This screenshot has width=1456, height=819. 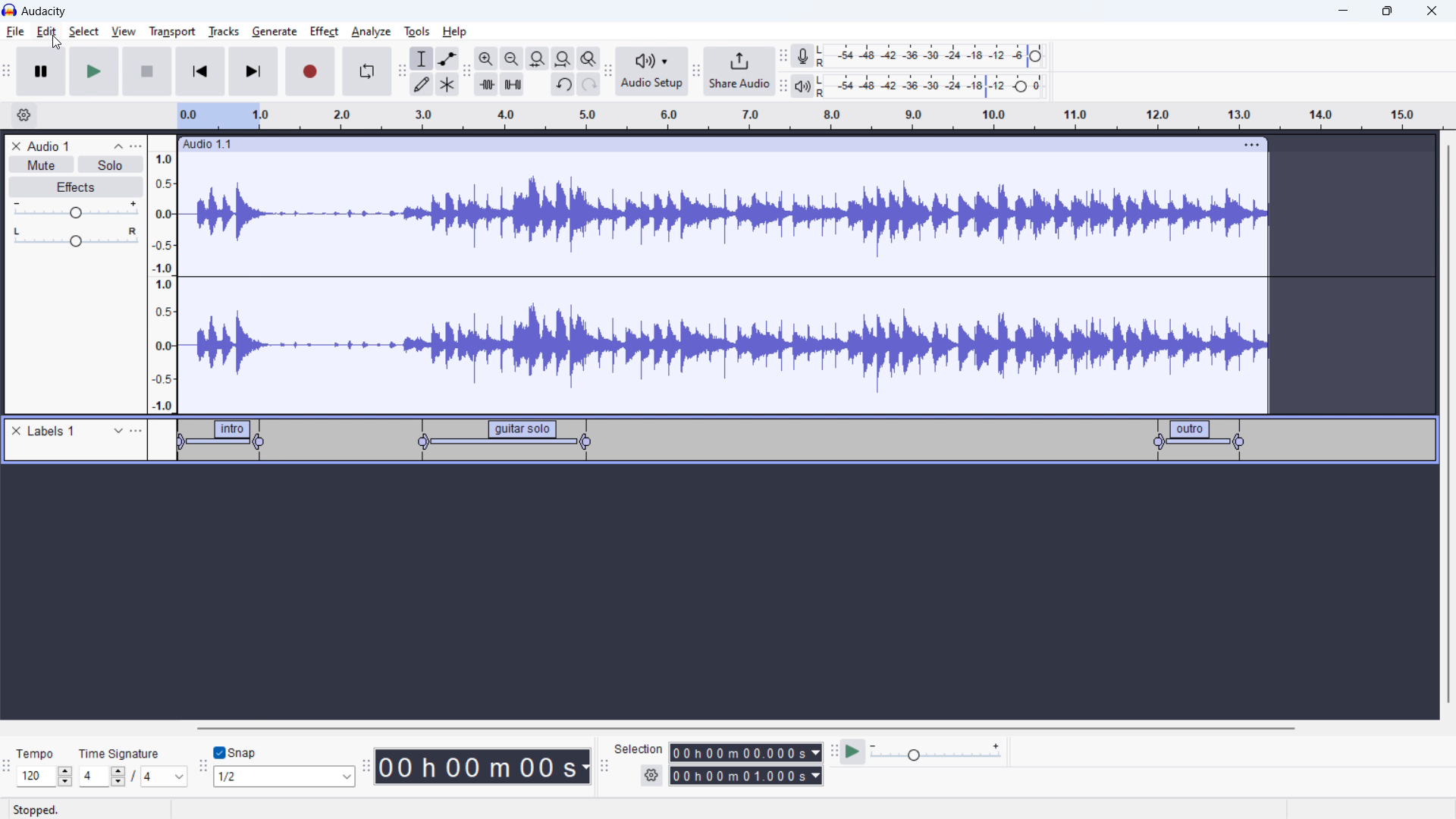 I want to click on solo, so click(x=111, y=165).